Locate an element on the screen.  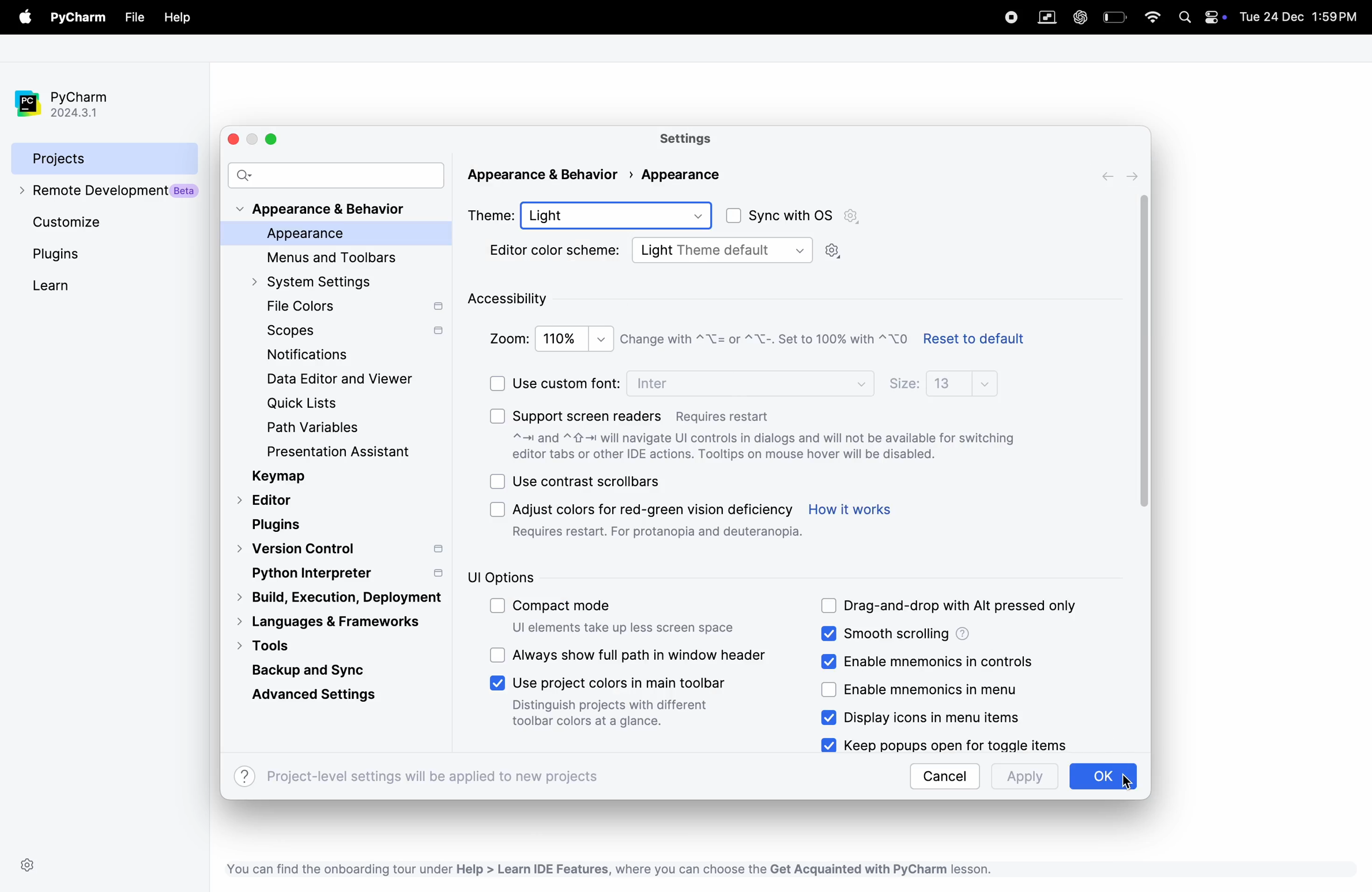
build ,execution, development is located at coordinates (339, 599).